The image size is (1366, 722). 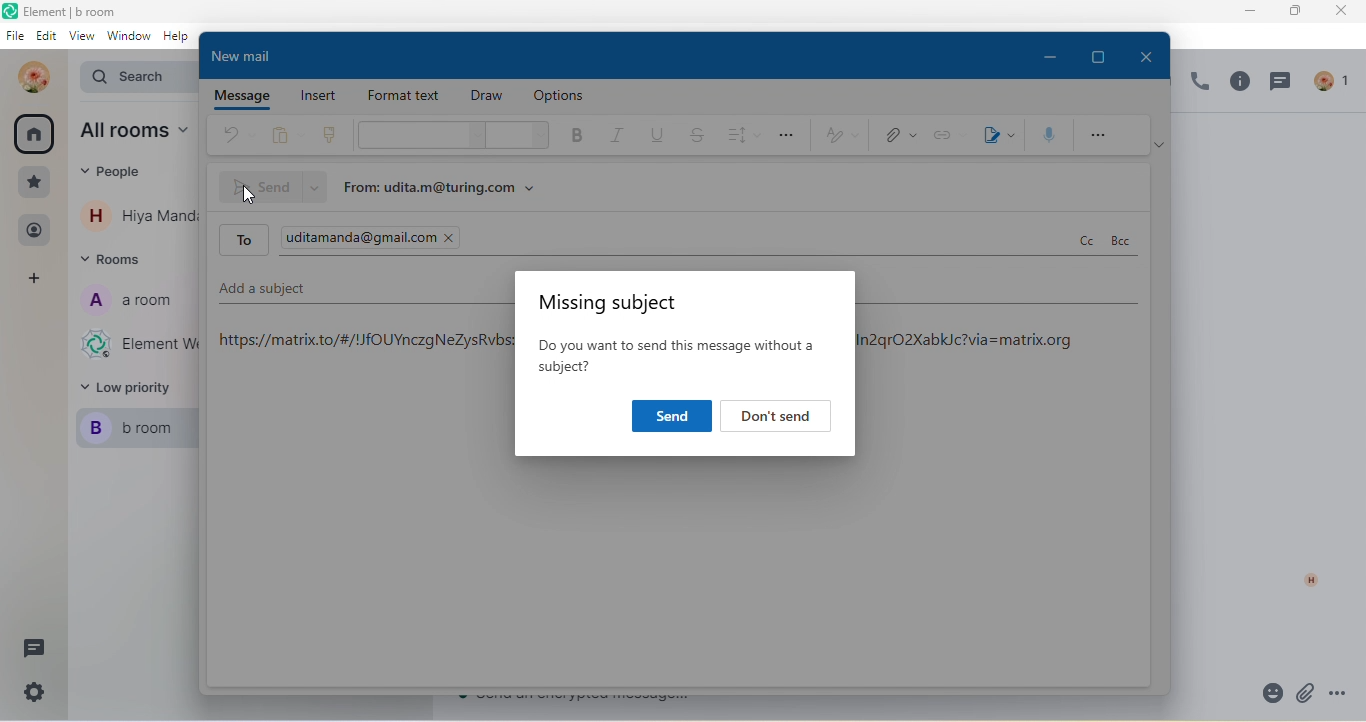 I want to click on eople, so click(x=114, y=172).